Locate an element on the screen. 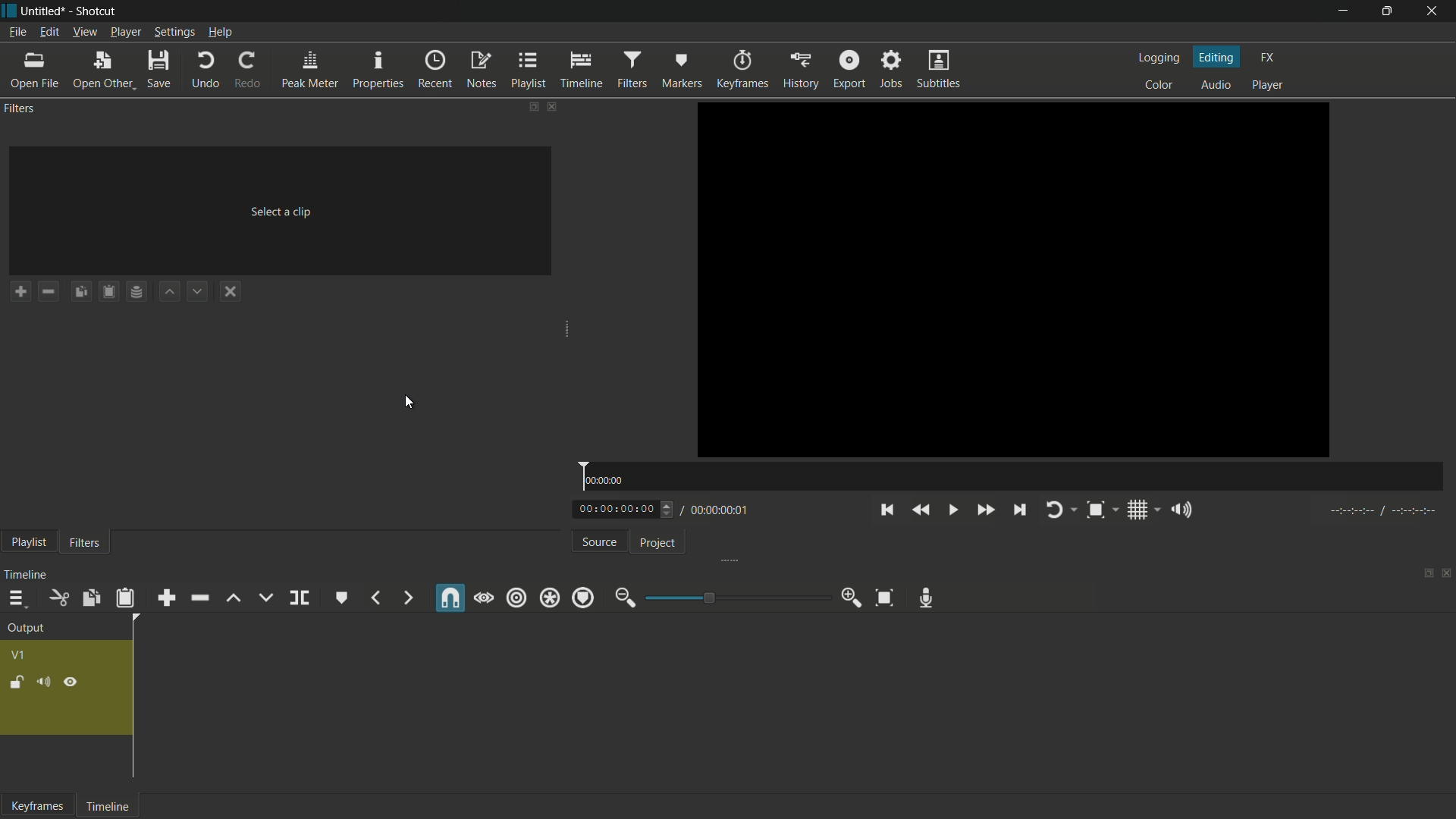 The height and width of the screenshot is (819, 1456). move filter down is located at coordinates (197, 291).